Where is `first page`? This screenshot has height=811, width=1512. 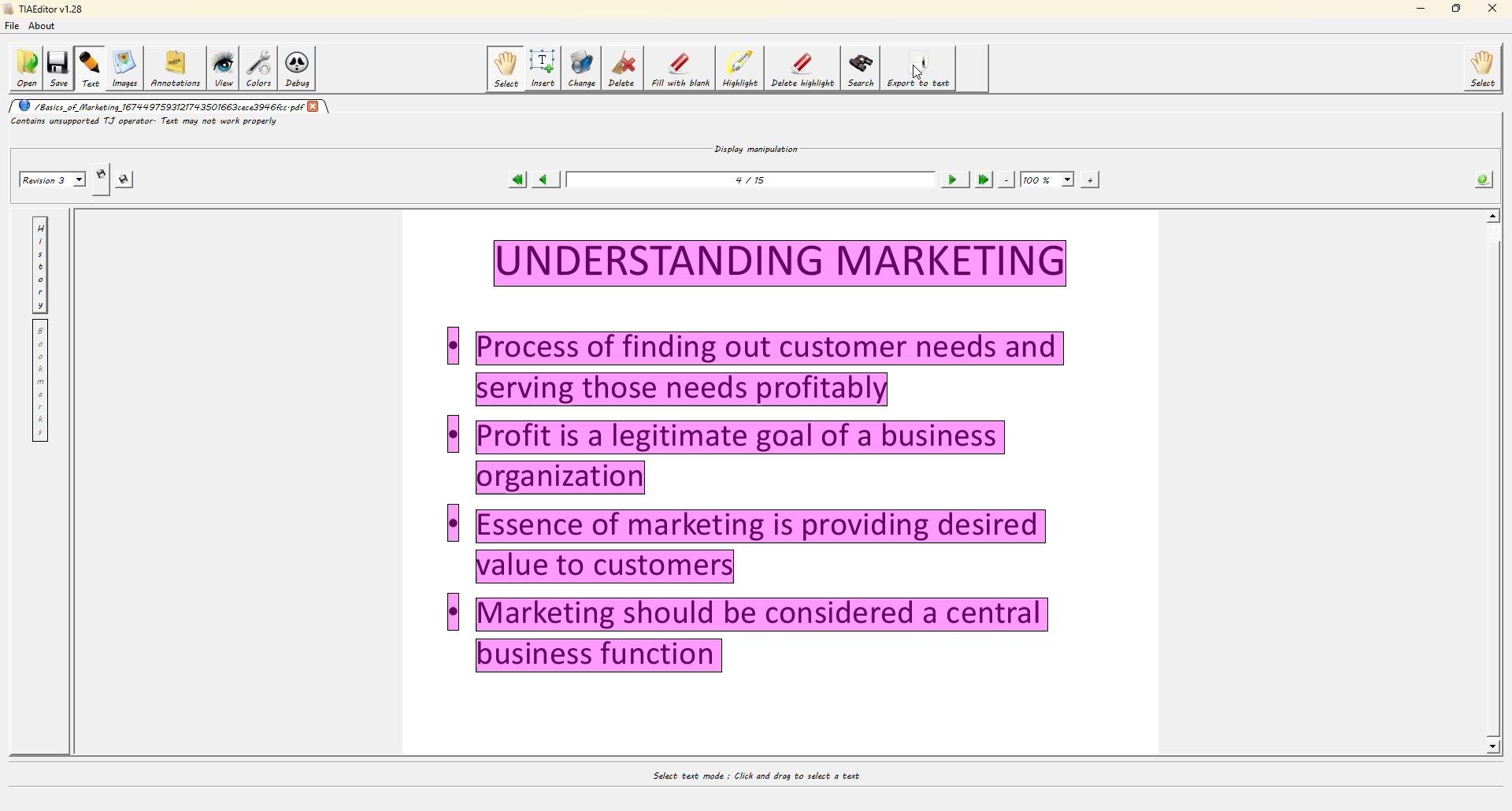
first page is located at coordinates (512, 179).